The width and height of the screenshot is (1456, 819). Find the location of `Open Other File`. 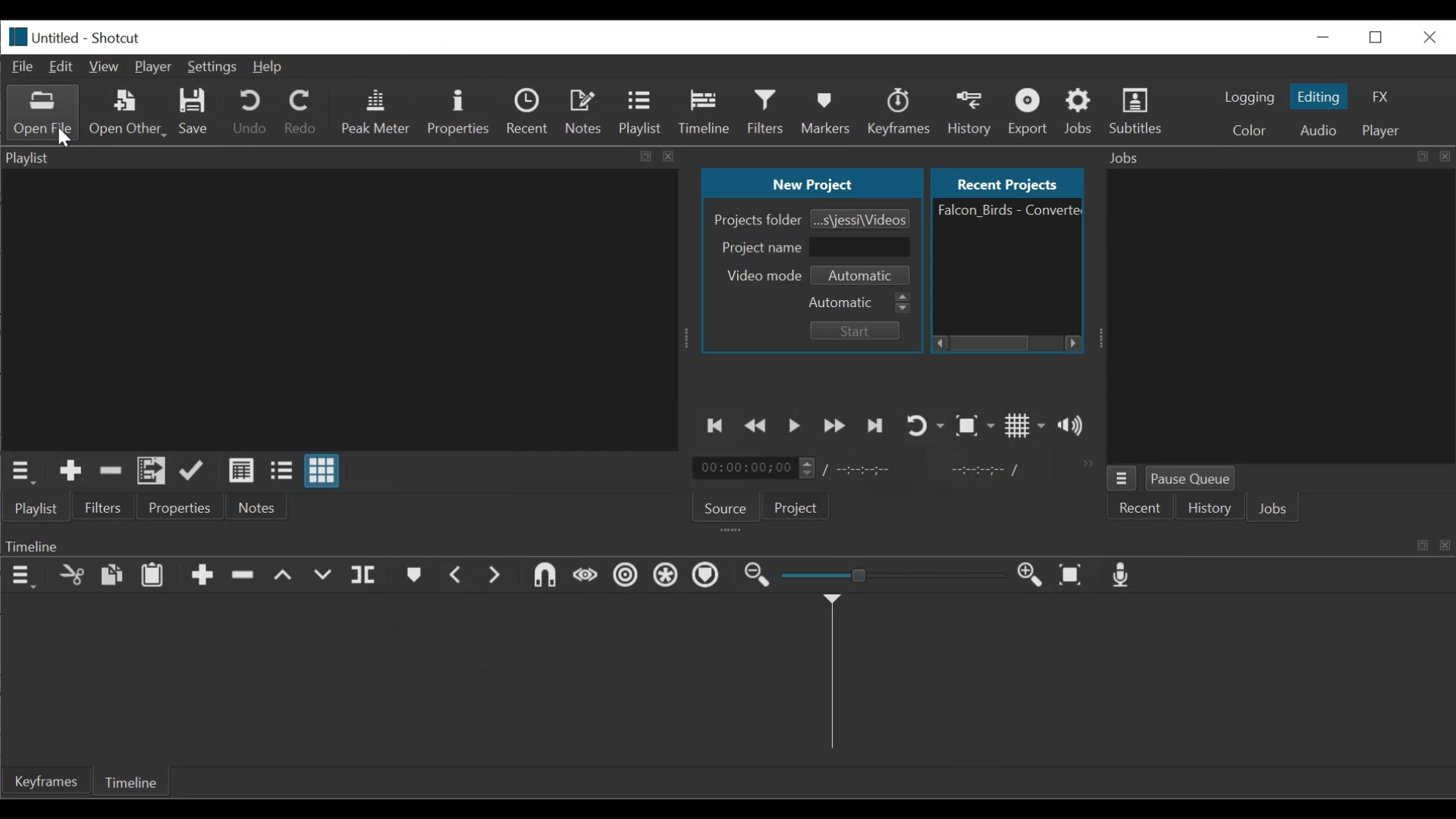

Open Other File is located at coordinates (43, 114).